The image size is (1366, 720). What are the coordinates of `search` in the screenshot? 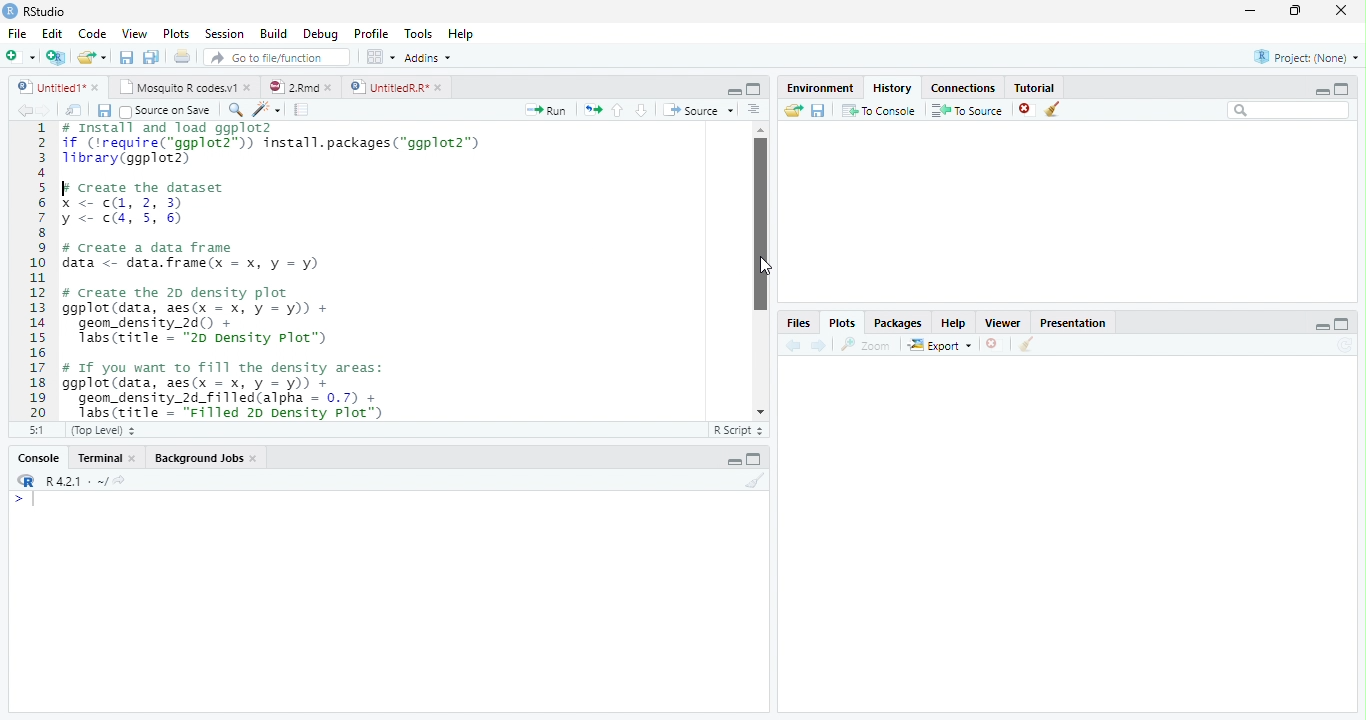 It's located at (232, 109).